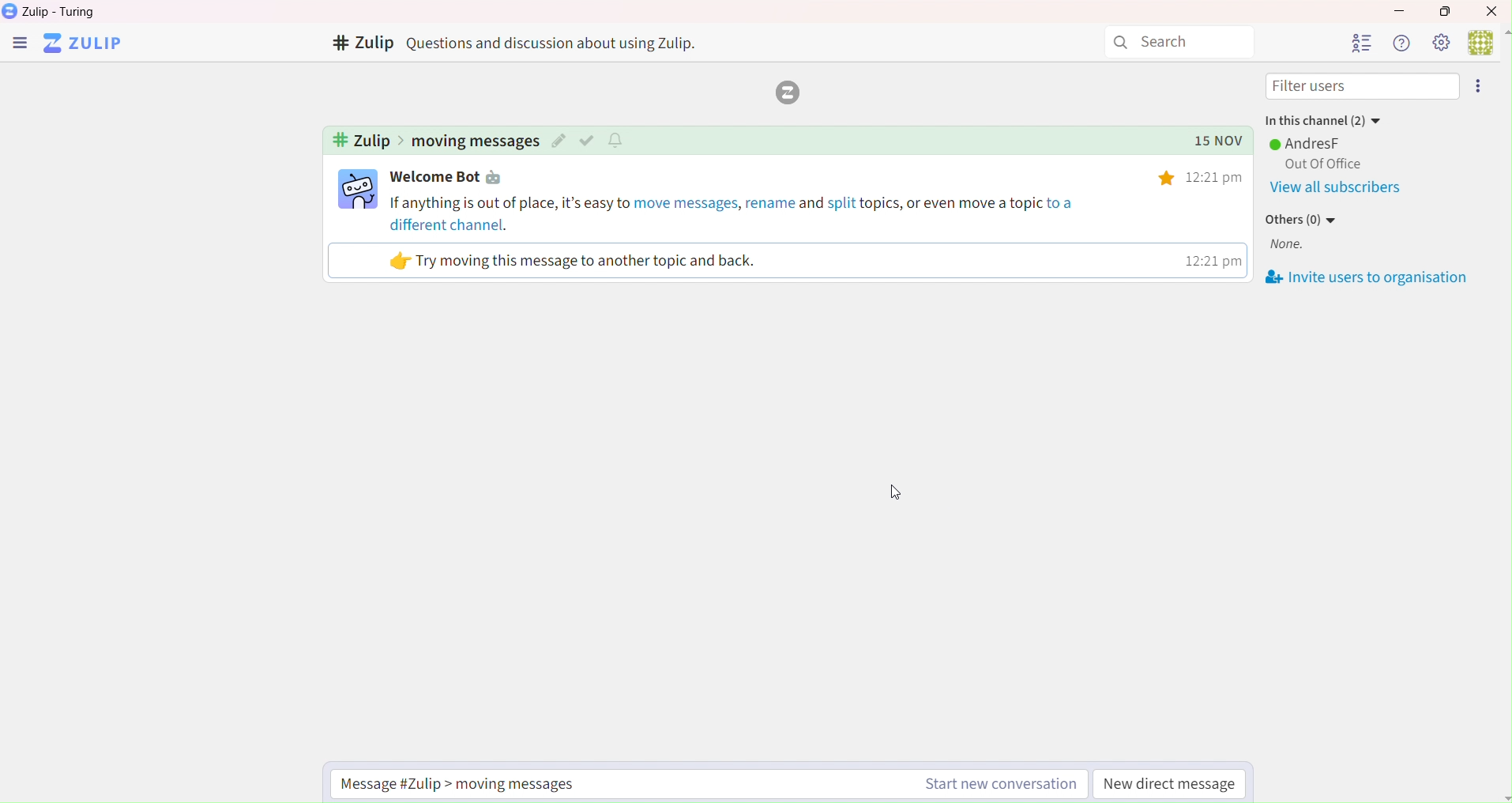 The image size is (1512, 803). I want to click on , so click(1168, 179).